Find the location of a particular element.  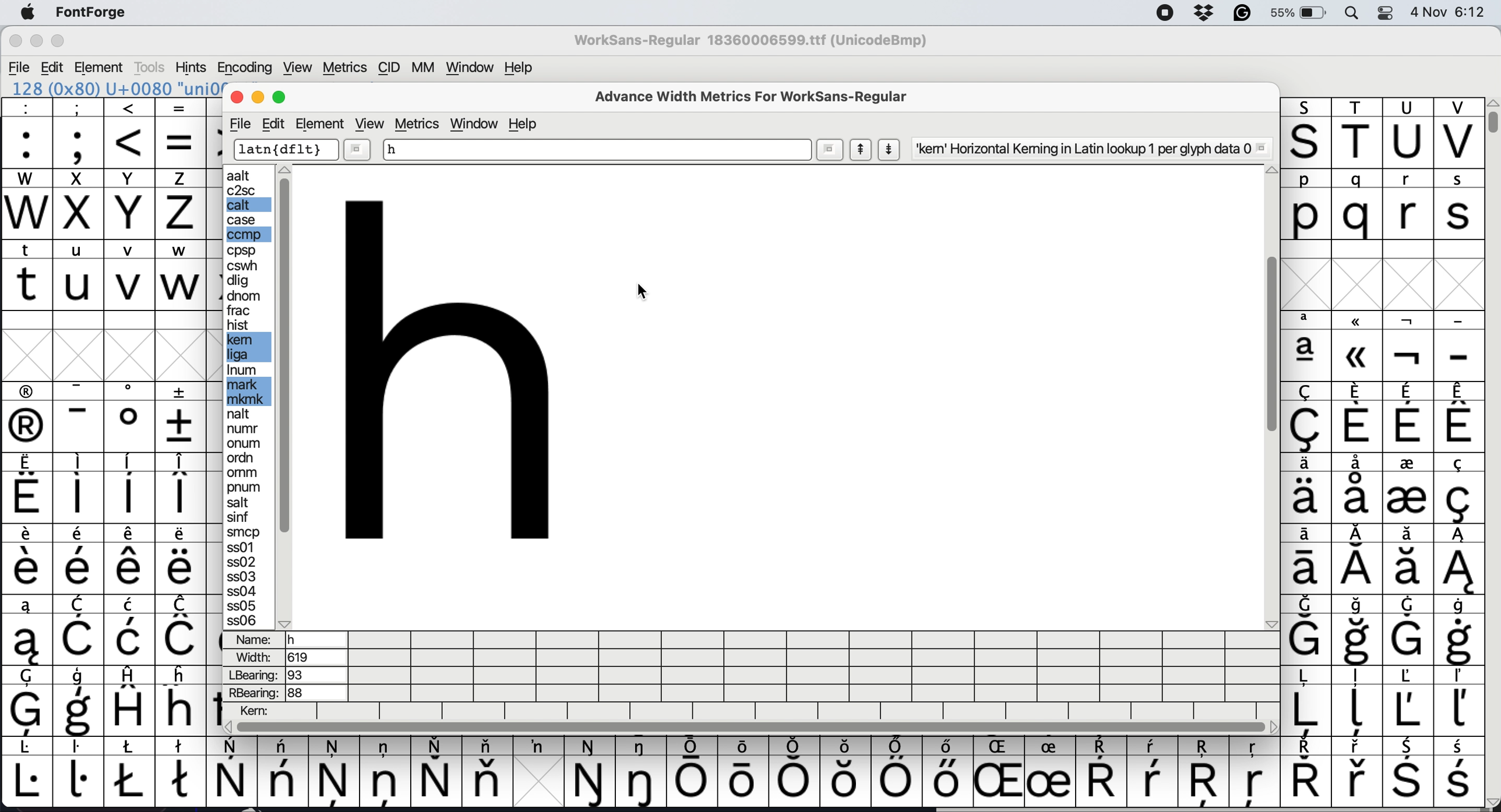

special characters is located at coordinates (1384, 569).